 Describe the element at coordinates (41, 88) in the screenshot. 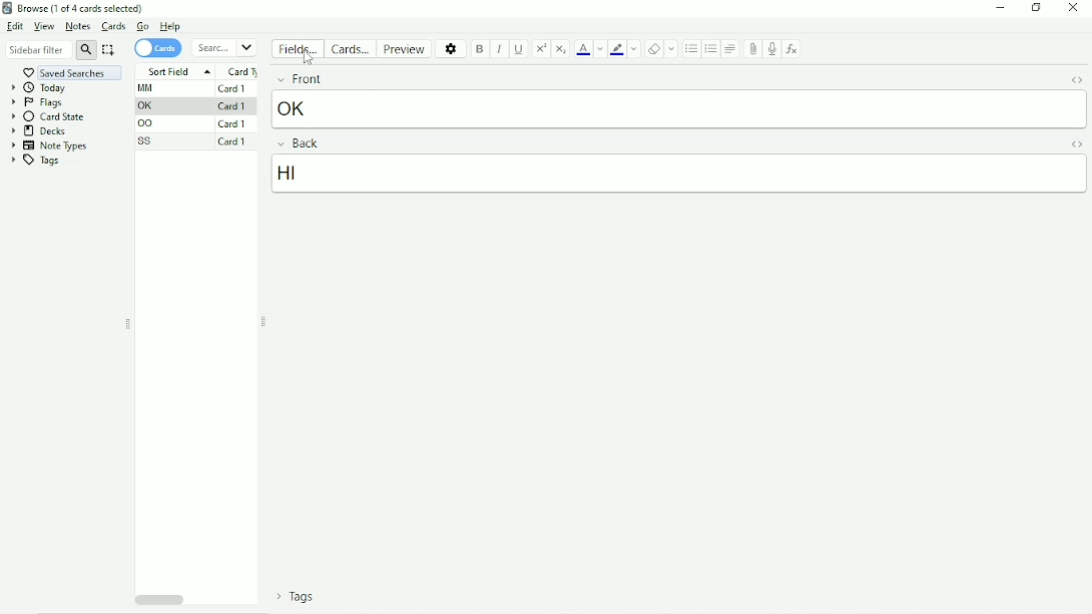

I see `Today` at that location.